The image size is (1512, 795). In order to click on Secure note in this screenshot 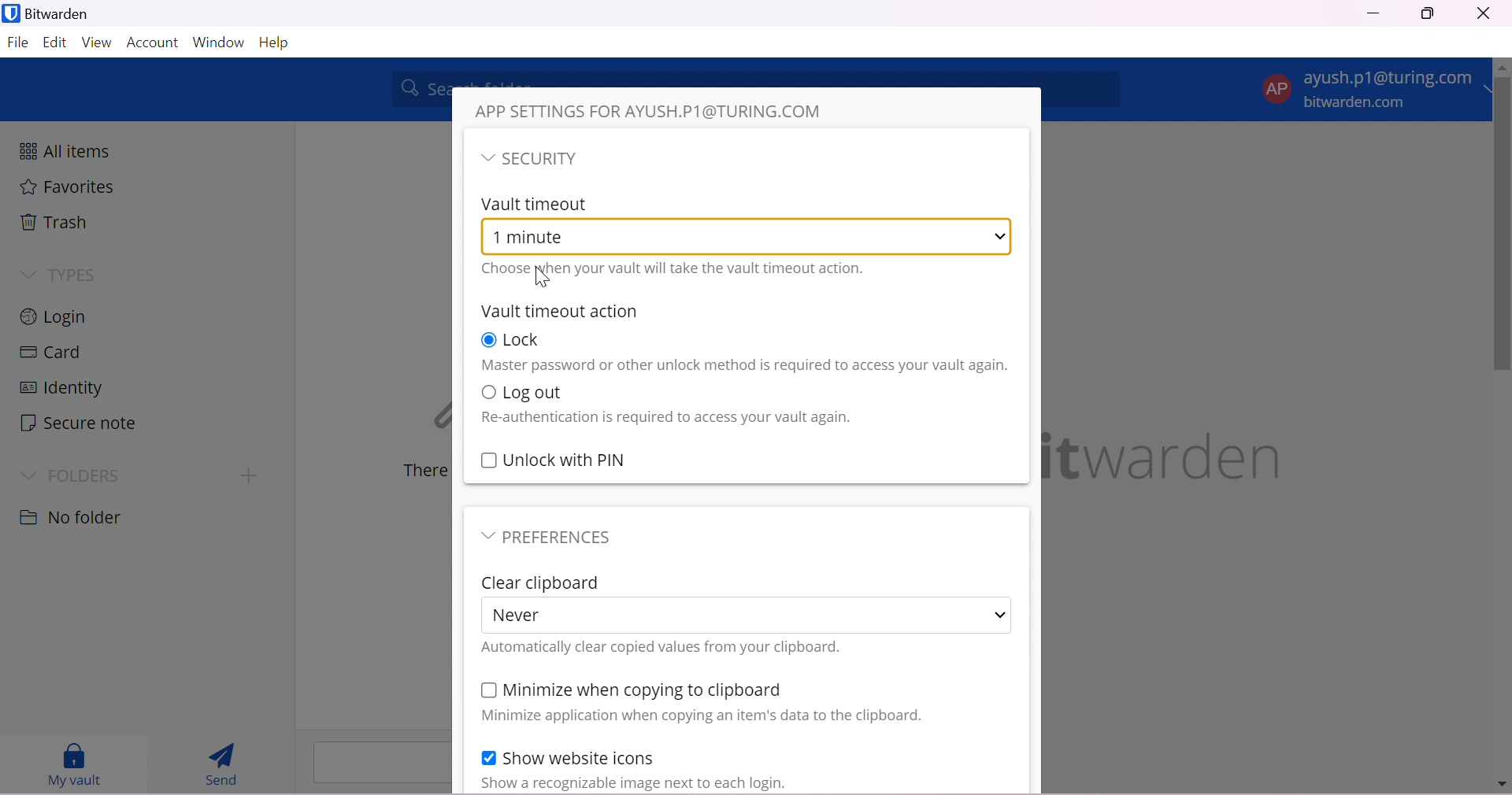, I will do `click(78, 423)`.